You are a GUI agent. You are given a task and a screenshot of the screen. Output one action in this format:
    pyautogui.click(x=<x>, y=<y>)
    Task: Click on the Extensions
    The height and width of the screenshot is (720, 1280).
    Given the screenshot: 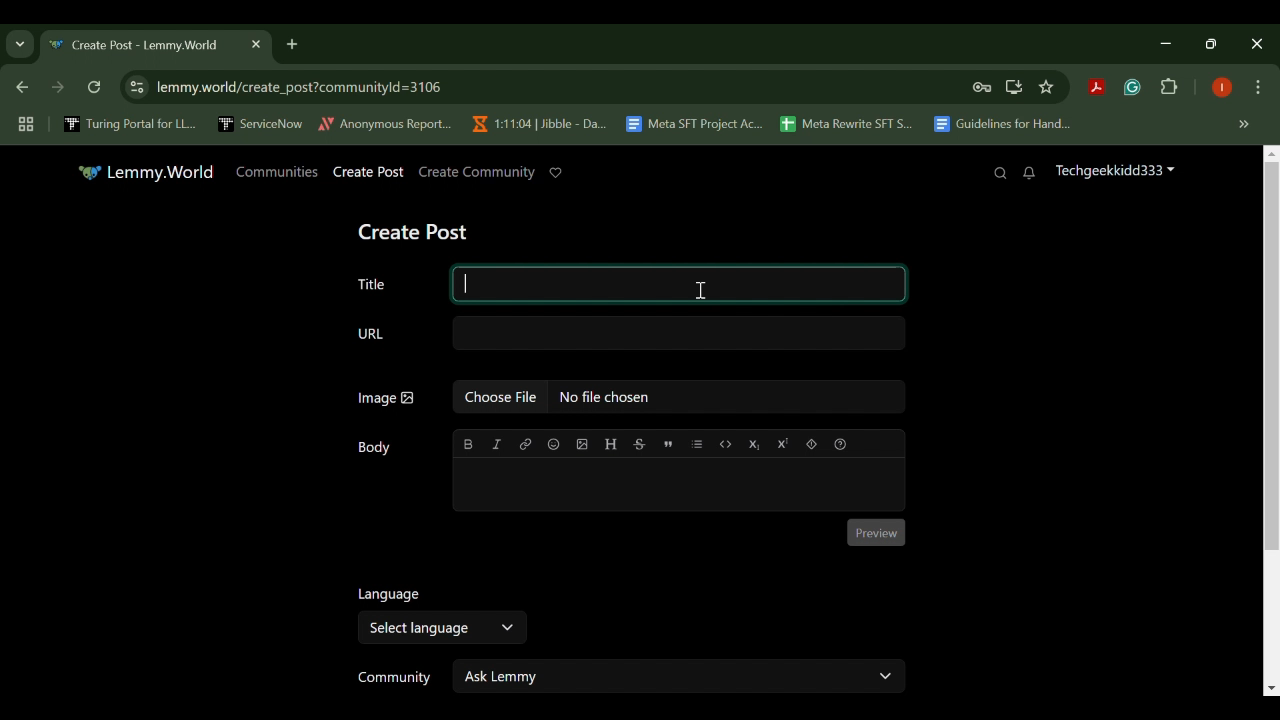 What is the action you would take?
    pyautogui.click(x=1170, y=88)
    